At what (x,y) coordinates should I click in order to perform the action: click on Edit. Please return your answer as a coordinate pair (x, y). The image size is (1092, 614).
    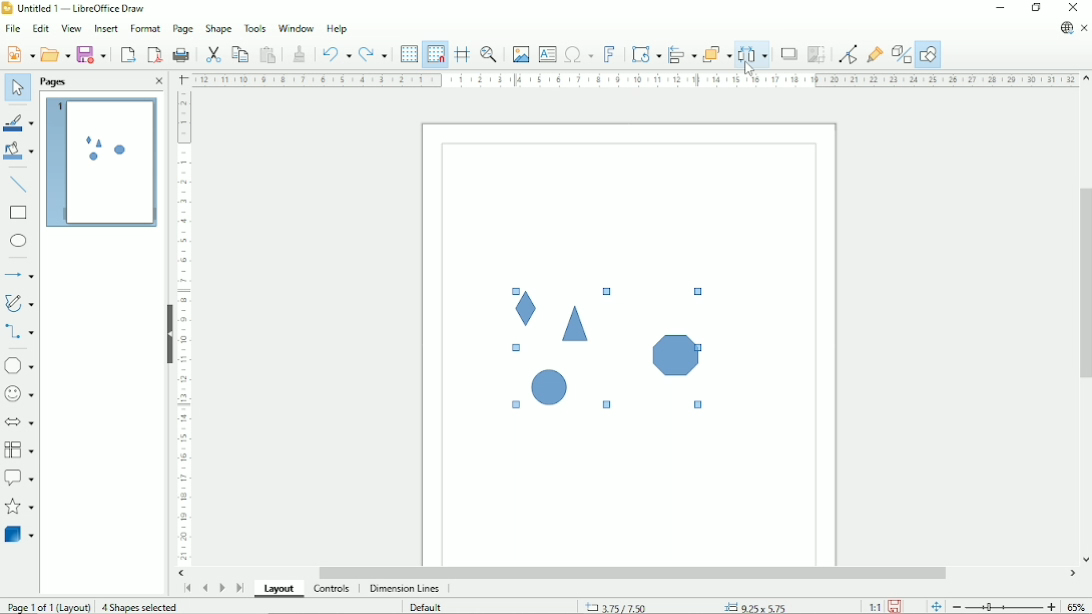
    Looking at the image, I should click on (40, 29).